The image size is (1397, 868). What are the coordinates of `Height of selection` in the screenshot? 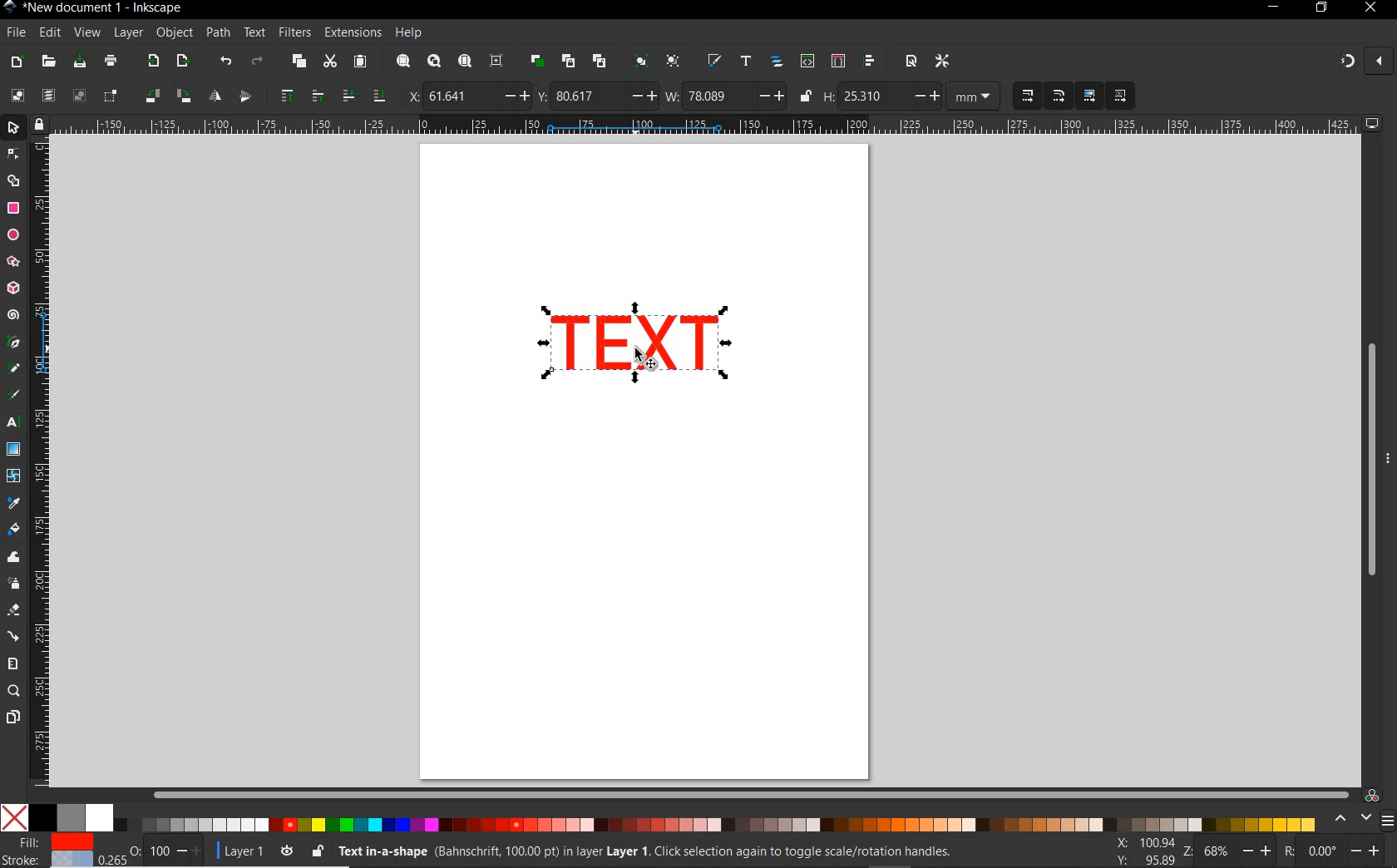 It's located at (881, 96).